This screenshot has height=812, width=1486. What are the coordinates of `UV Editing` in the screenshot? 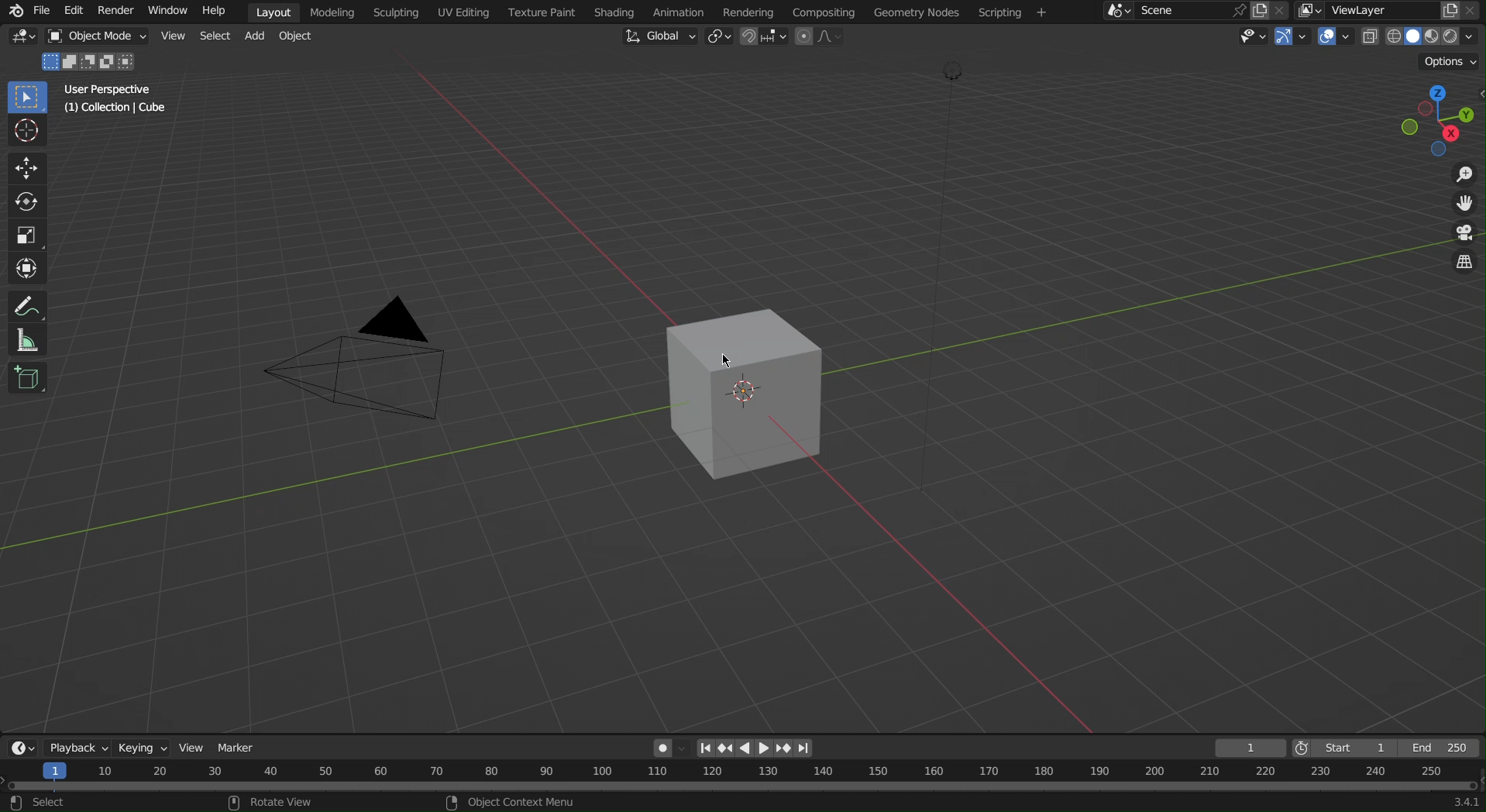 It's located at (461, 12).